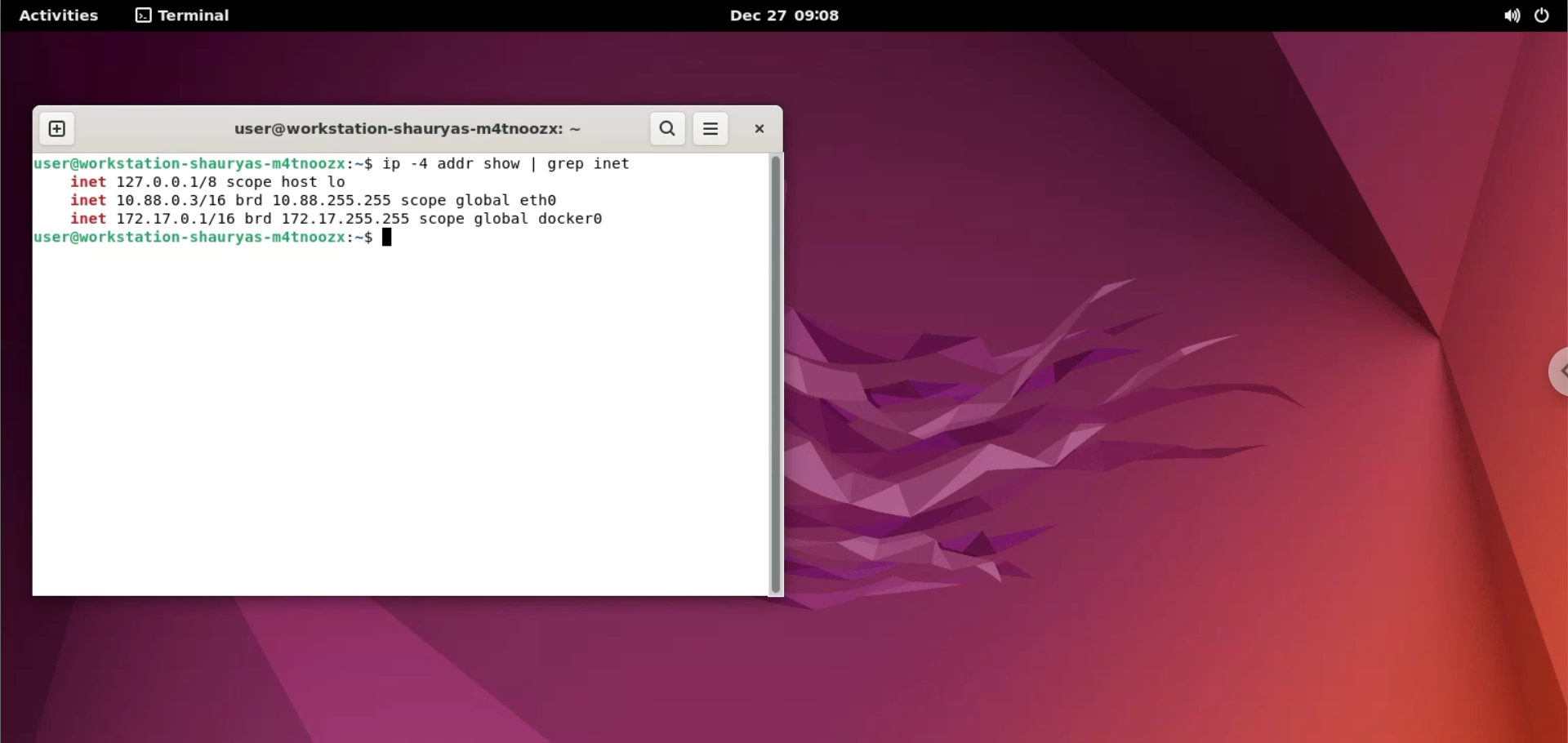  What do you see at coordinates (344, 199) in the screenshot?
I see `inet 12/7.0.0.1/8 scope host Lo
inet 10.88.0.3/16 brd 10.88.255.255 scope global ethe
inet 172.17.06.1/16 brd 172.17.255.255 scope global docker®` at bounding box center [344, 199].